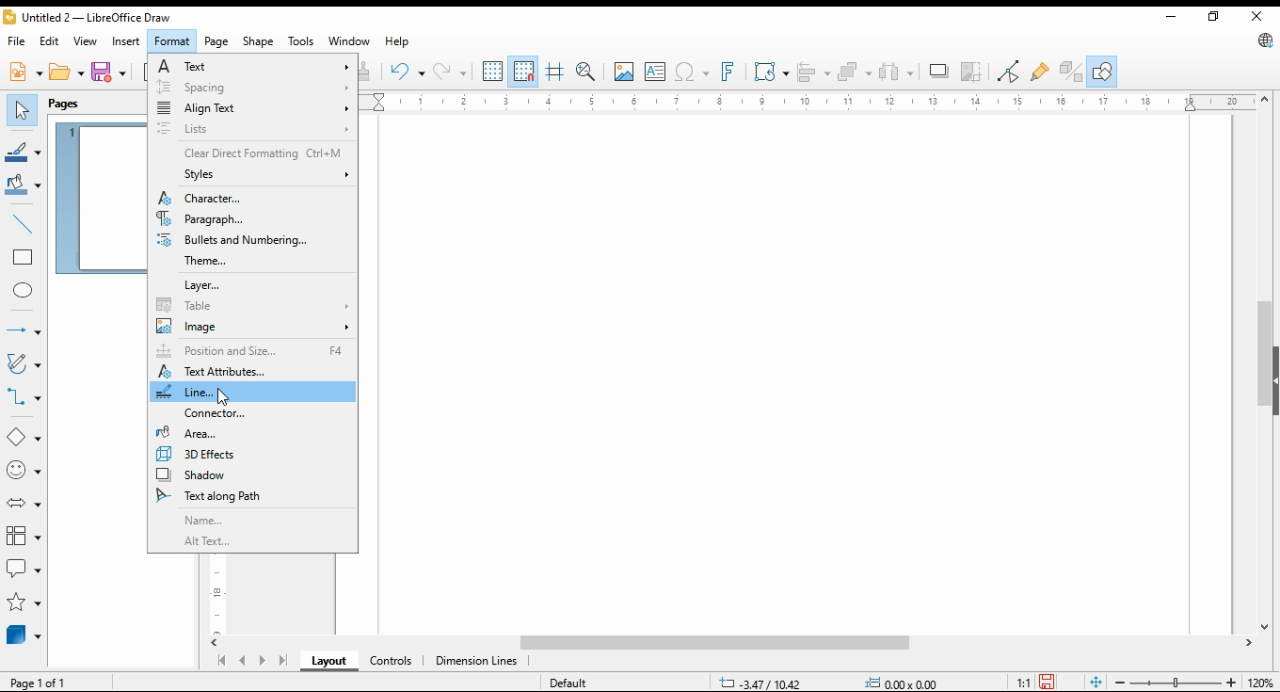 This screenshot has height=692, width=1280. What do you see at coordinates (251, 175) in the screenshot?
I see `styles` at bounding box center [251, 175].